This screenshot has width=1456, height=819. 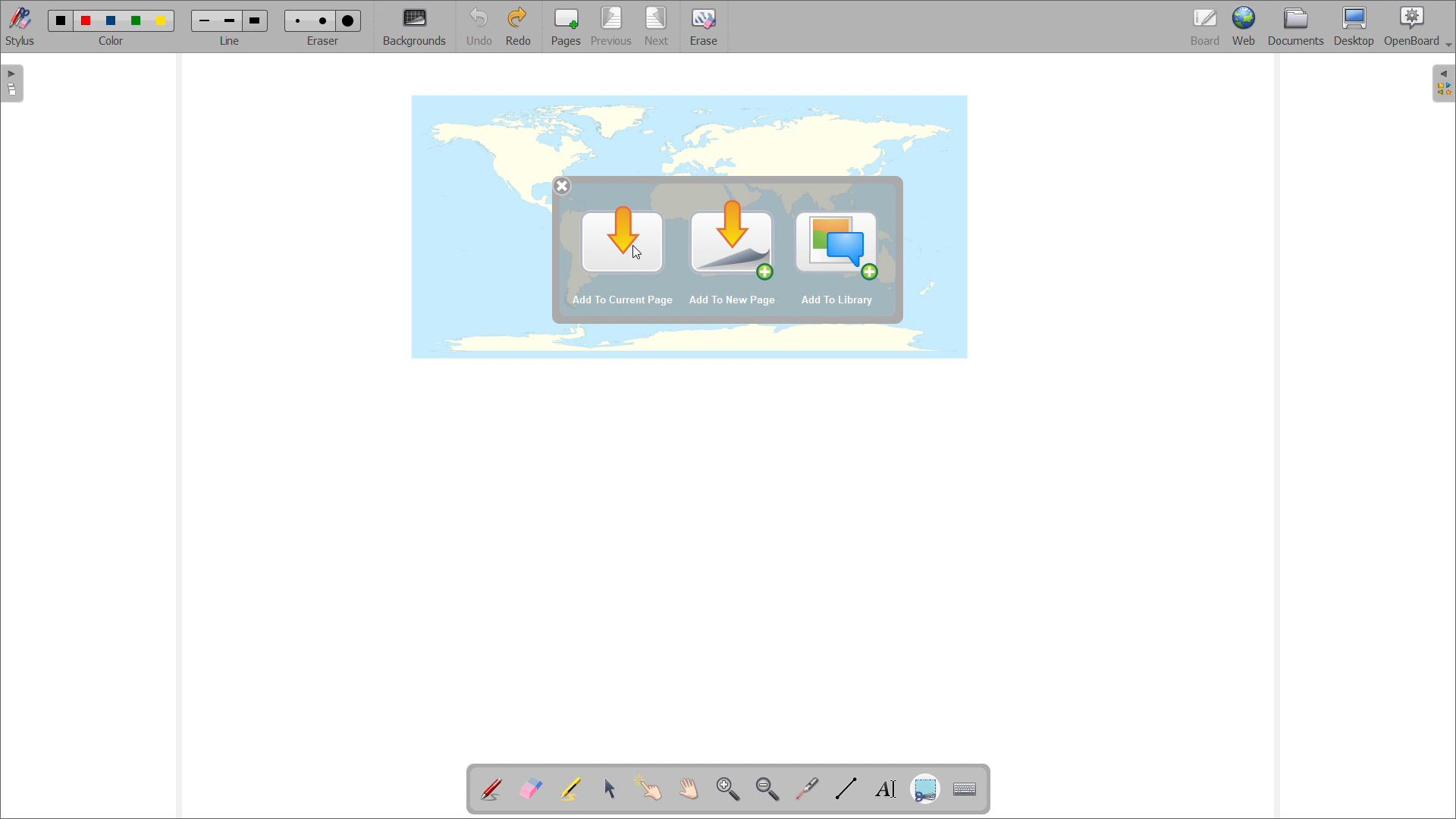 What do you see at coordinates (566, 27) in the screenshot?
I see `add pages` at bounding box center [566, 27].